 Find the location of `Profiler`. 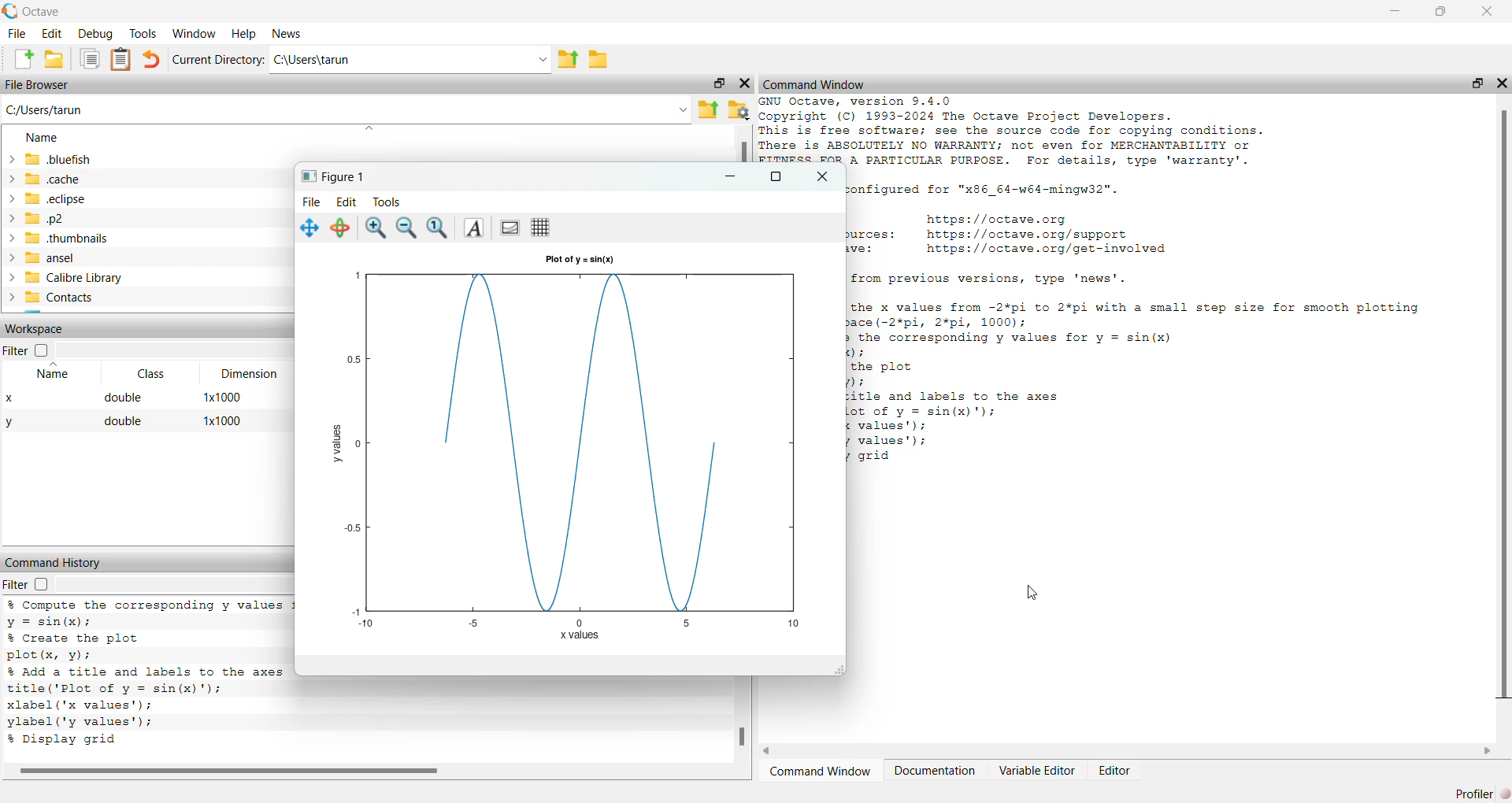

Profiler is located at coordinates (1480, 794).